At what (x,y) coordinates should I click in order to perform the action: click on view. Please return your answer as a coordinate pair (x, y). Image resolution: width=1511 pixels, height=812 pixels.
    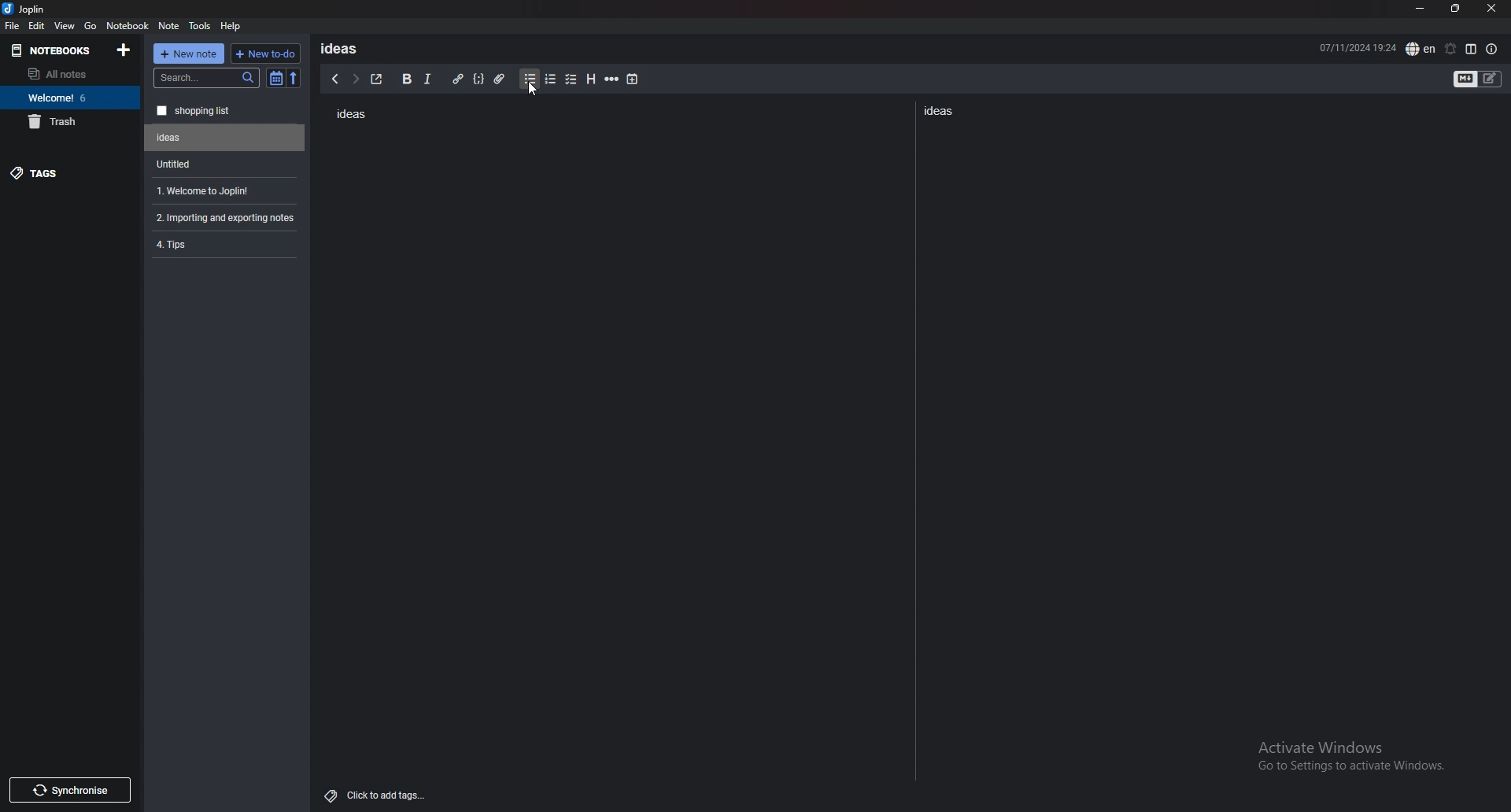
    Looking at the image, I should click on (65, 25).